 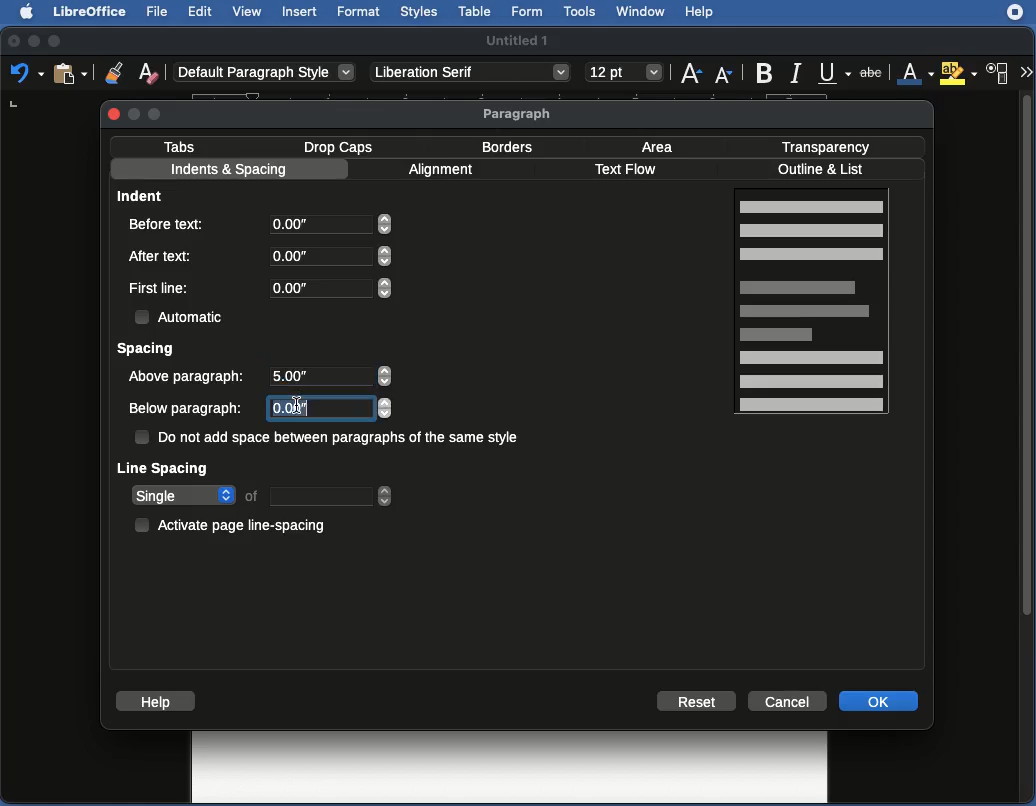 I want to click on Help, so click(x=155, y=701).